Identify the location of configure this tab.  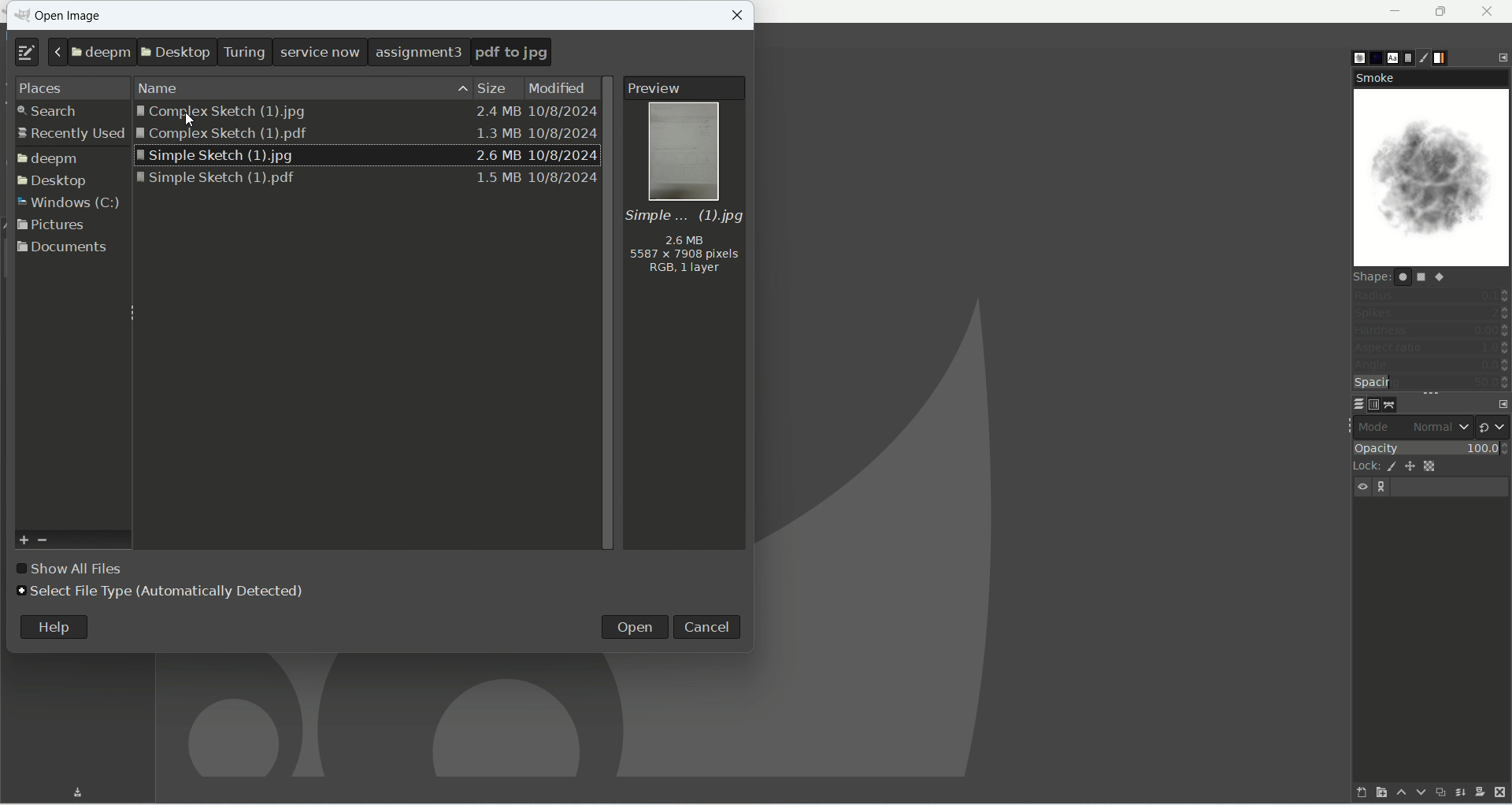
(1502, 56).